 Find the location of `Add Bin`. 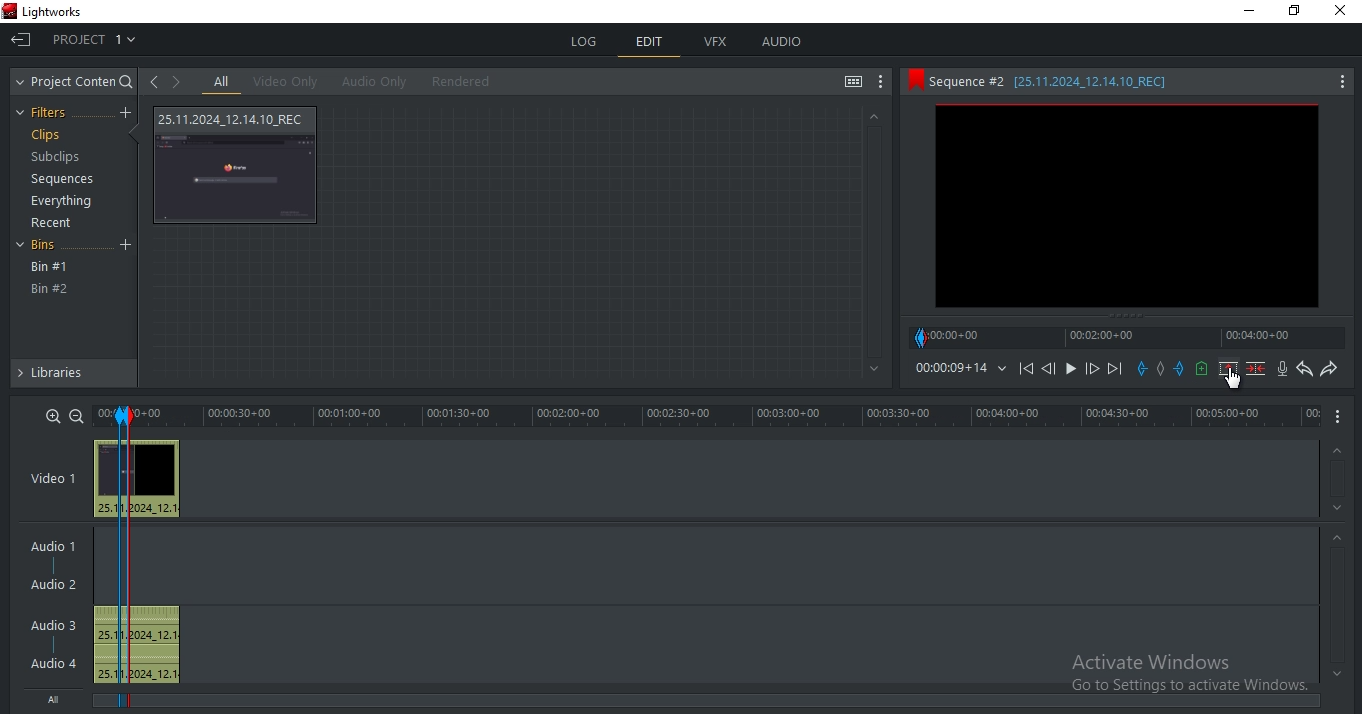

Add Bin is located at coordinates (128, 246).